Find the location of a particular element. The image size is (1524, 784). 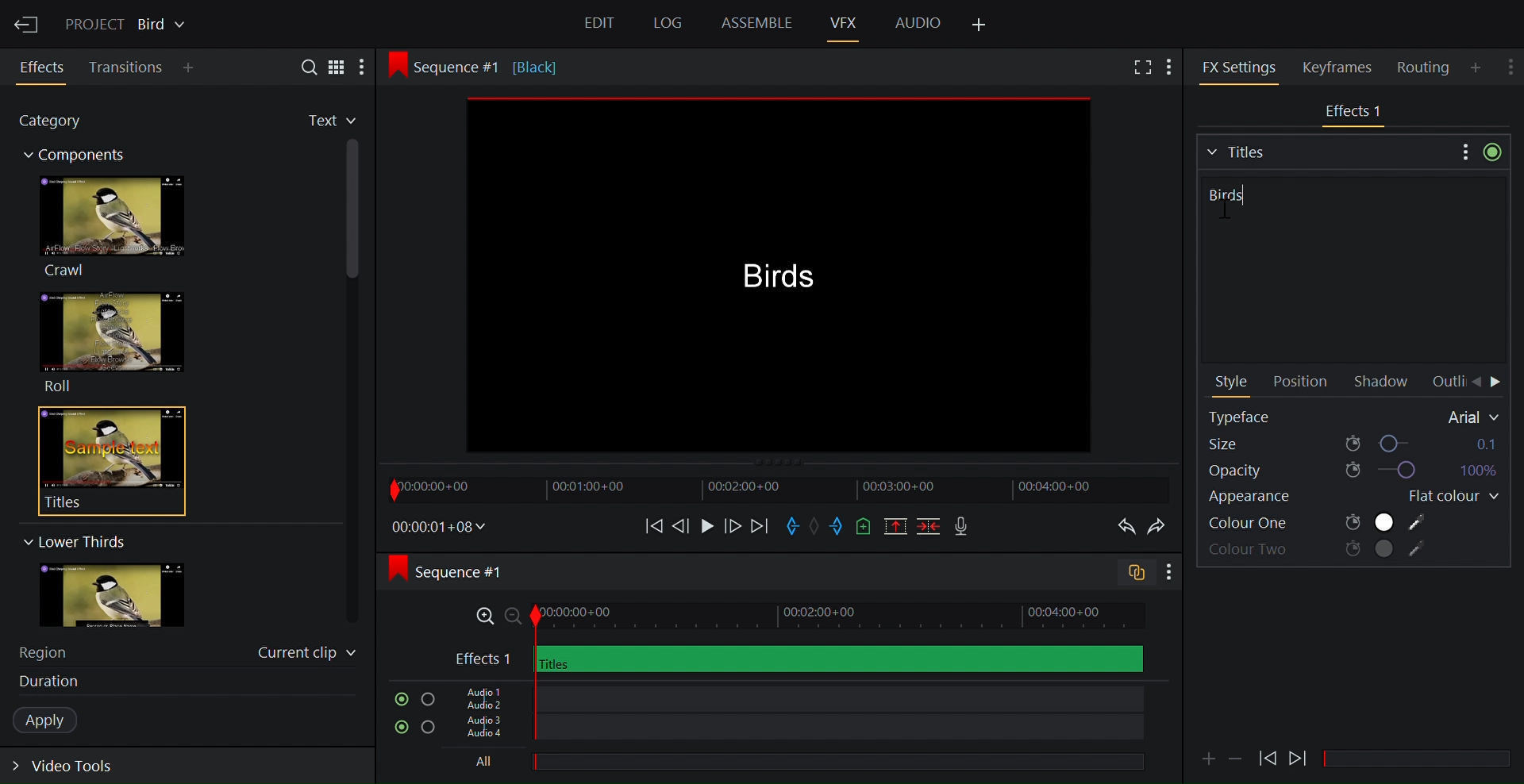

Remove all marked sections is located at coordinates (897, 528).